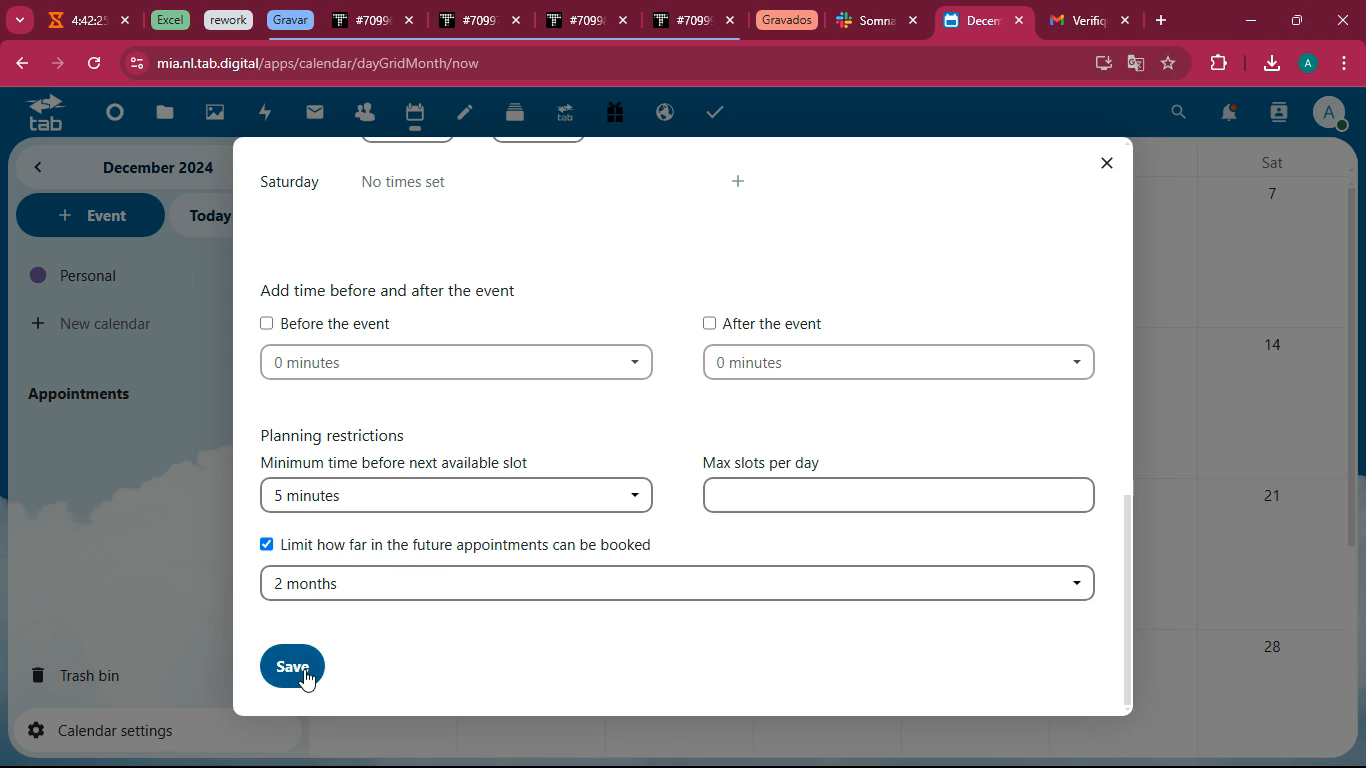 The image size is (1366, 768). Describe the element at coordinates (360, 24) in the screenshot. I see `tab` at that location.